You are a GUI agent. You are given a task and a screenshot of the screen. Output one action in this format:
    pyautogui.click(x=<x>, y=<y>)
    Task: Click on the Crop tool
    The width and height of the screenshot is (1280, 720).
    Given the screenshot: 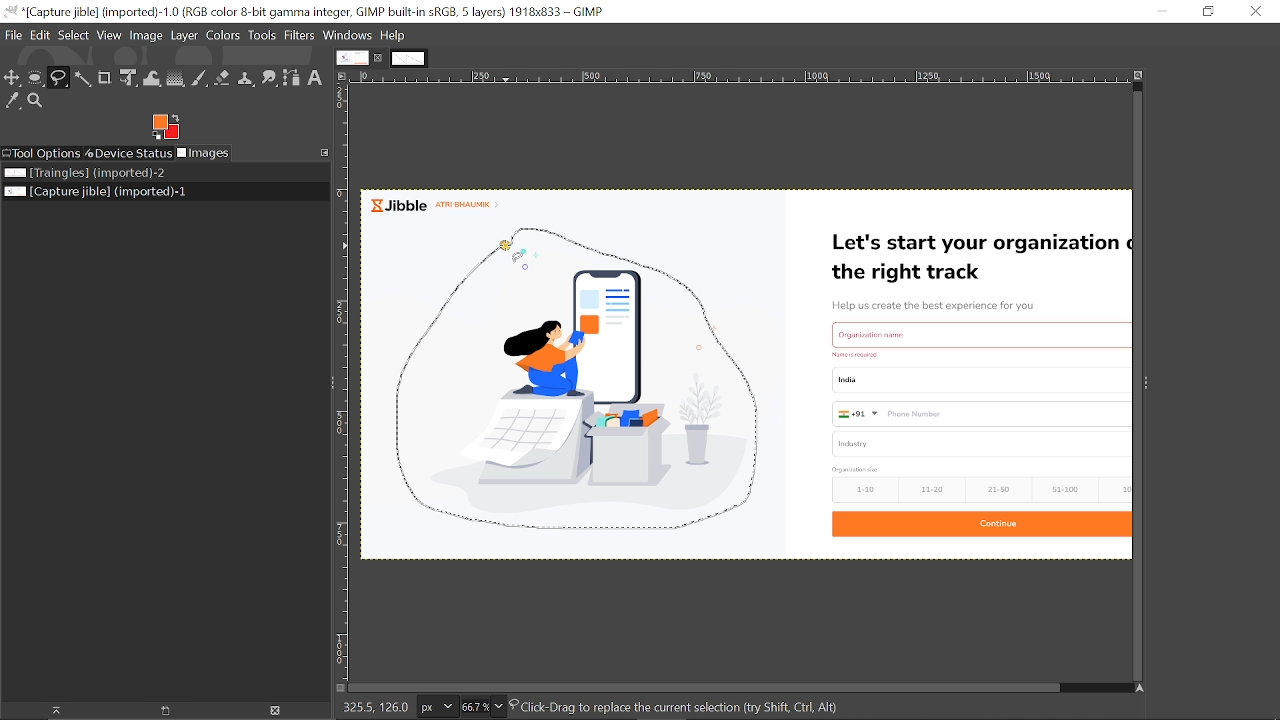 What is the action you would take?
    pyautogui.click(x=105, y=77)
    